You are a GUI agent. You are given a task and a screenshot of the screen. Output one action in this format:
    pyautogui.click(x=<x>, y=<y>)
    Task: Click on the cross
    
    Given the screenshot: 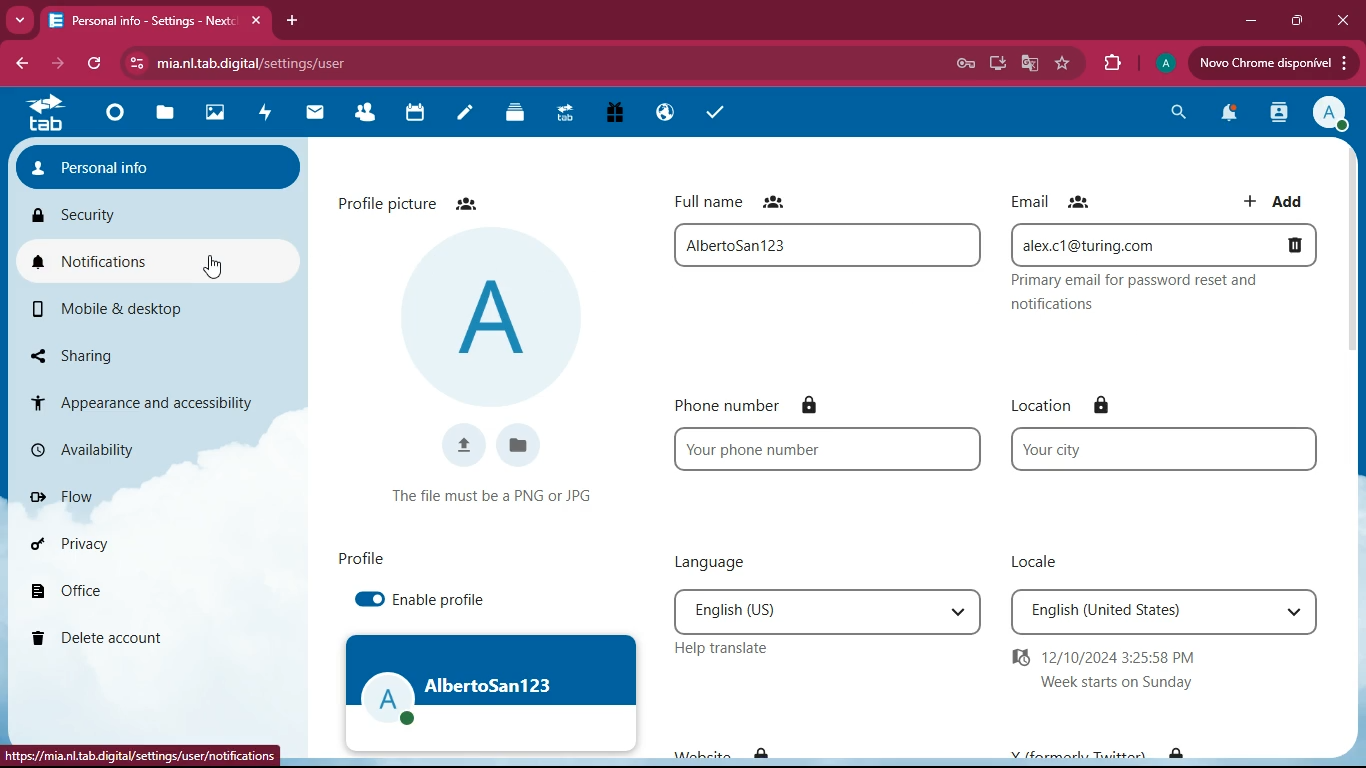 What is the action you would take?
    pyautogui.click(x=261, y=21)
    